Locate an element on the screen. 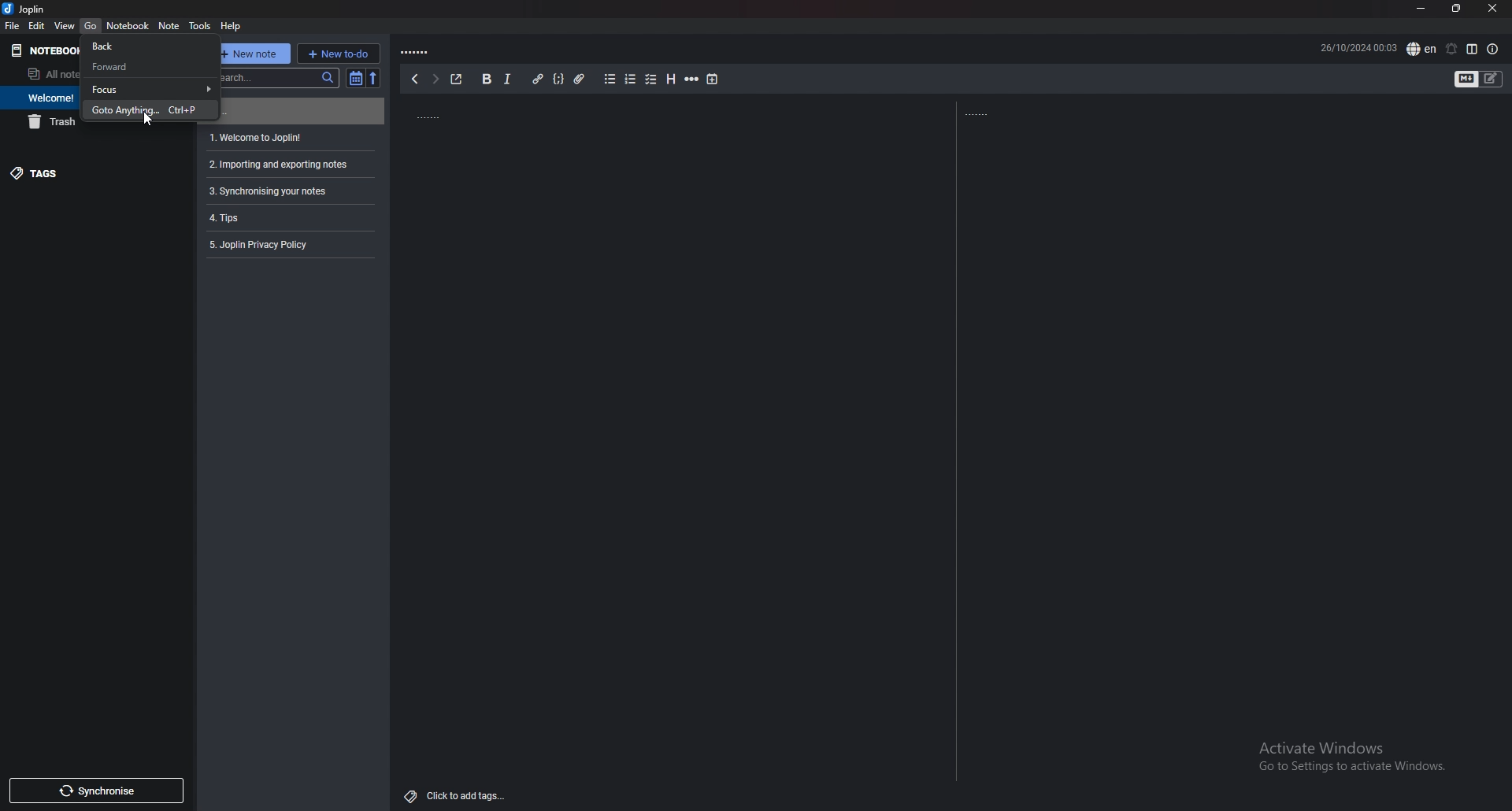 This screenshot has height=811, width=1512. horizontal rule is located at coordinates (692, 80).